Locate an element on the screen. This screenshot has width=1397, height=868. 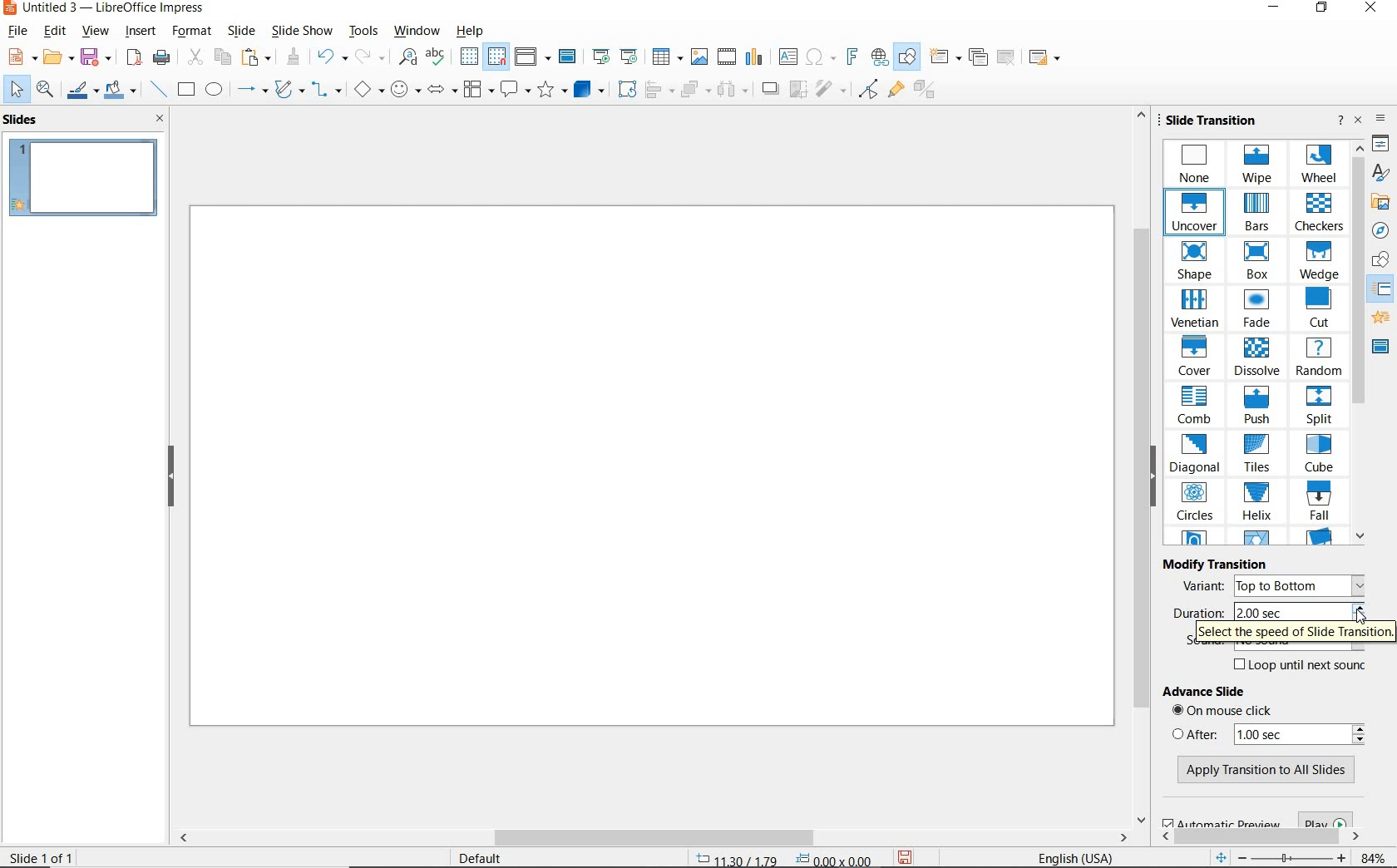
GALLERY is located at coordinates (1382, 201).